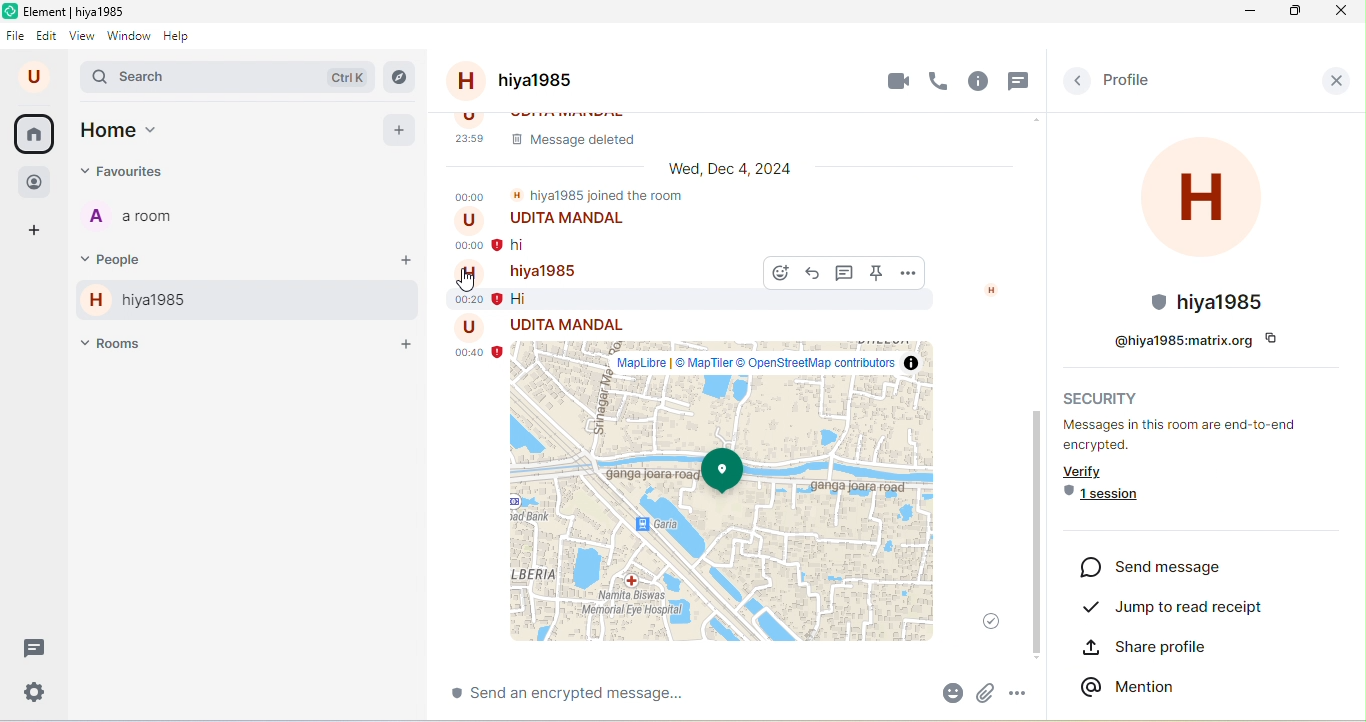 This screenshot has width=1366, height=722. What do you see at coordinates (36, 134) in the screenshot?
I see `home` at bounding box center [36, 134].